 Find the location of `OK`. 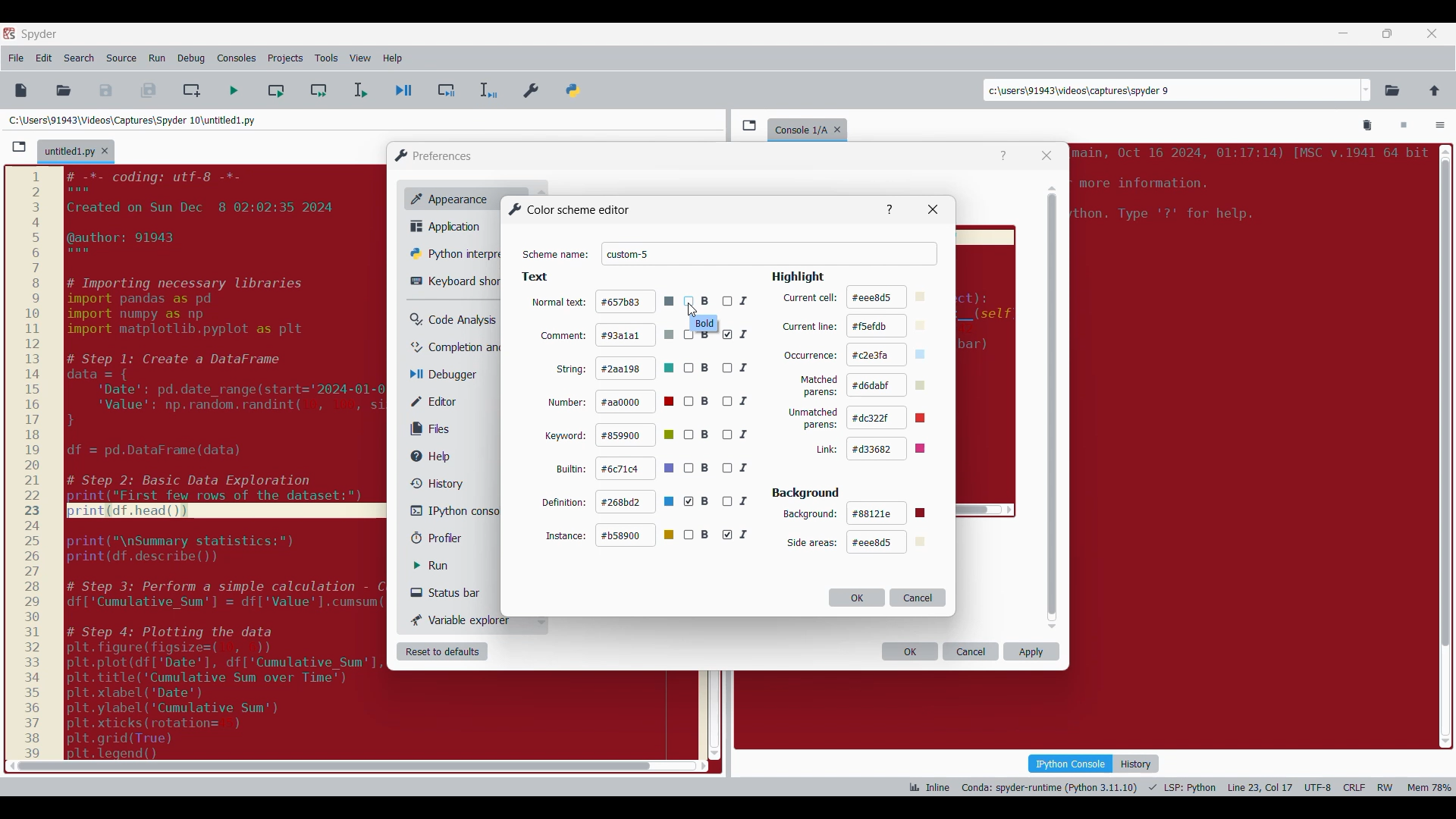

OK is located at coordinates (910, 651).